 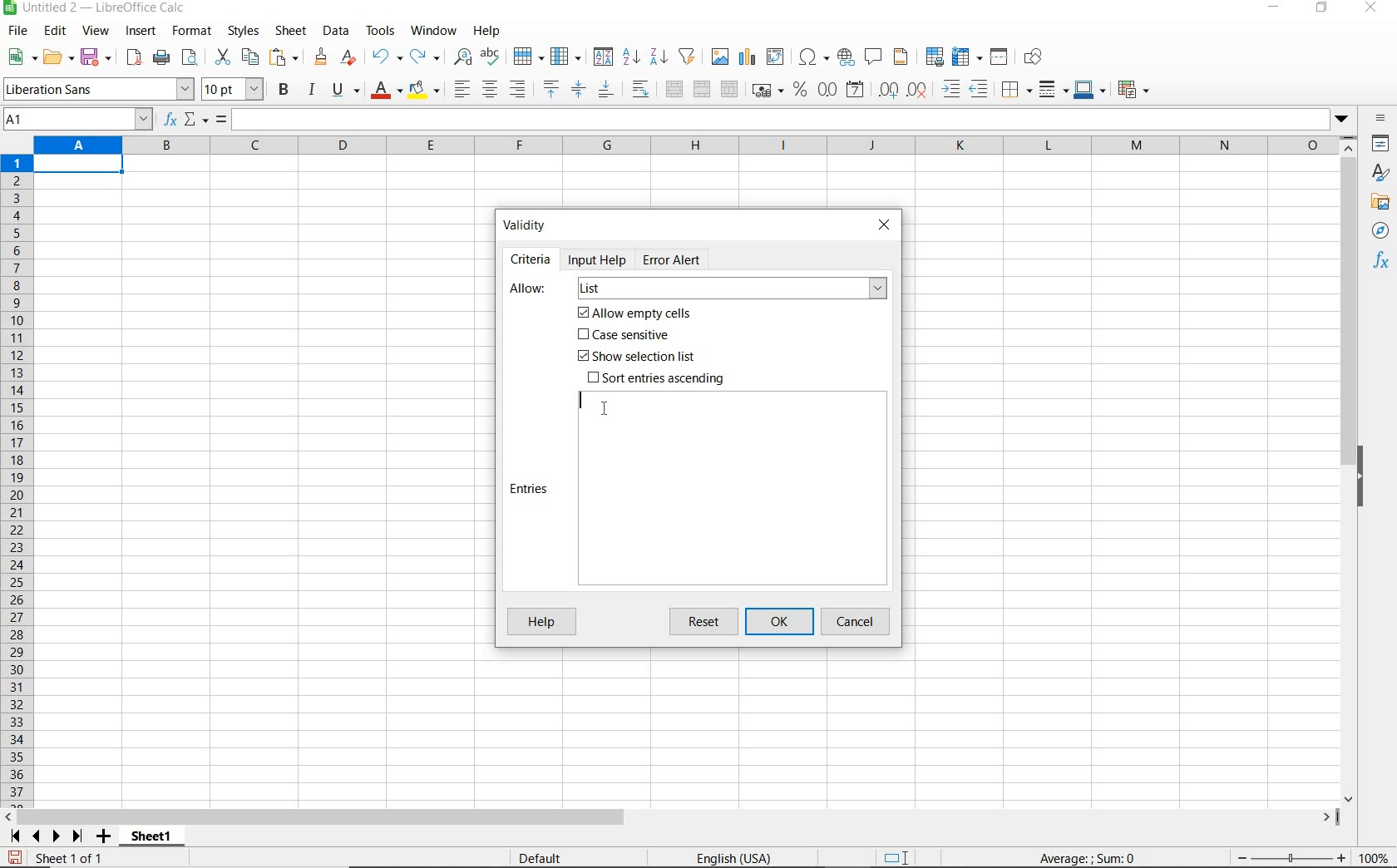 I want to click on navigator, so click(x=1383, y=234).